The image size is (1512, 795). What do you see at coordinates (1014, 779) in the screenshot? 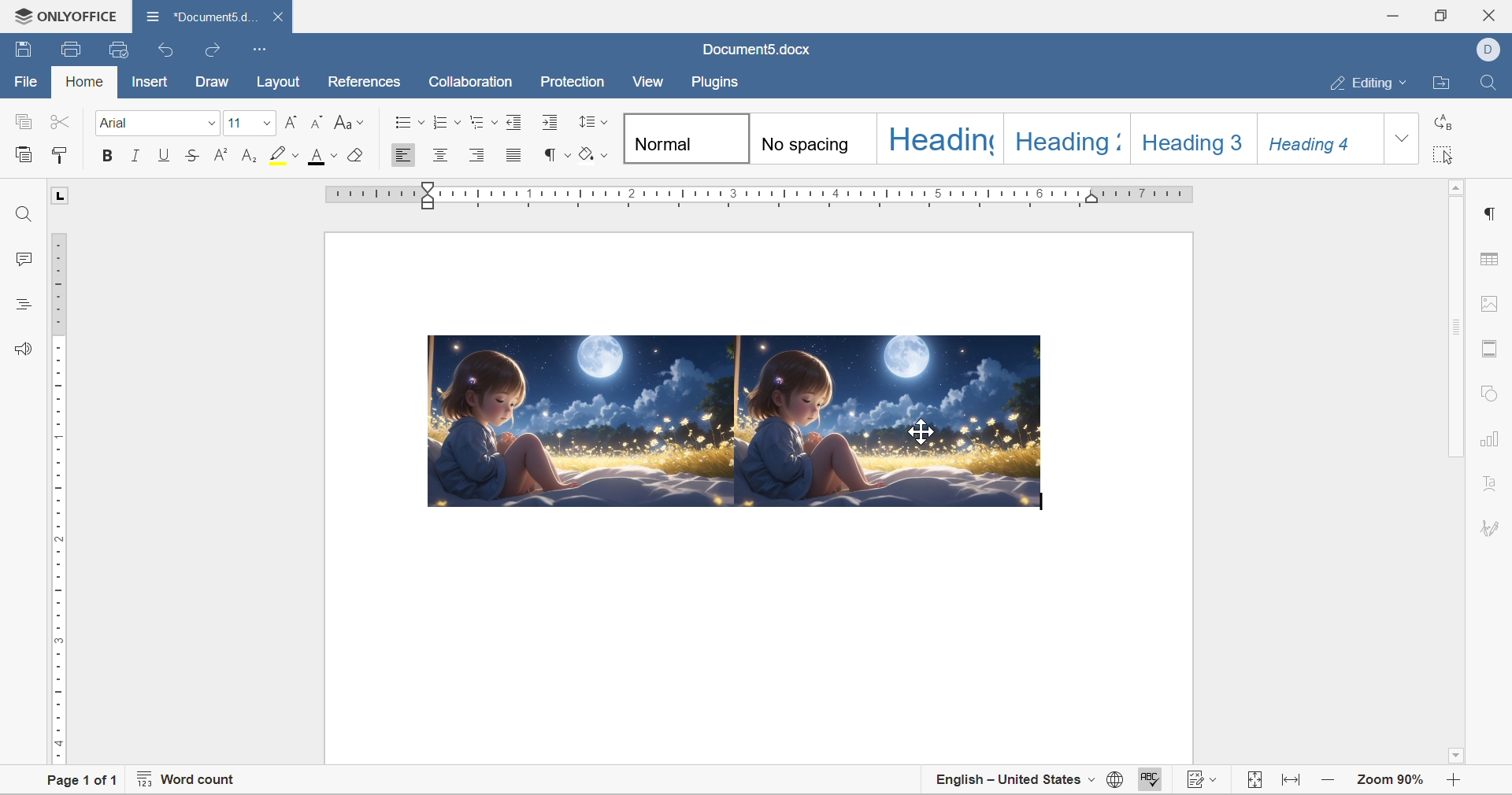
I see `english - united states` at bounding box center [1014, 779].